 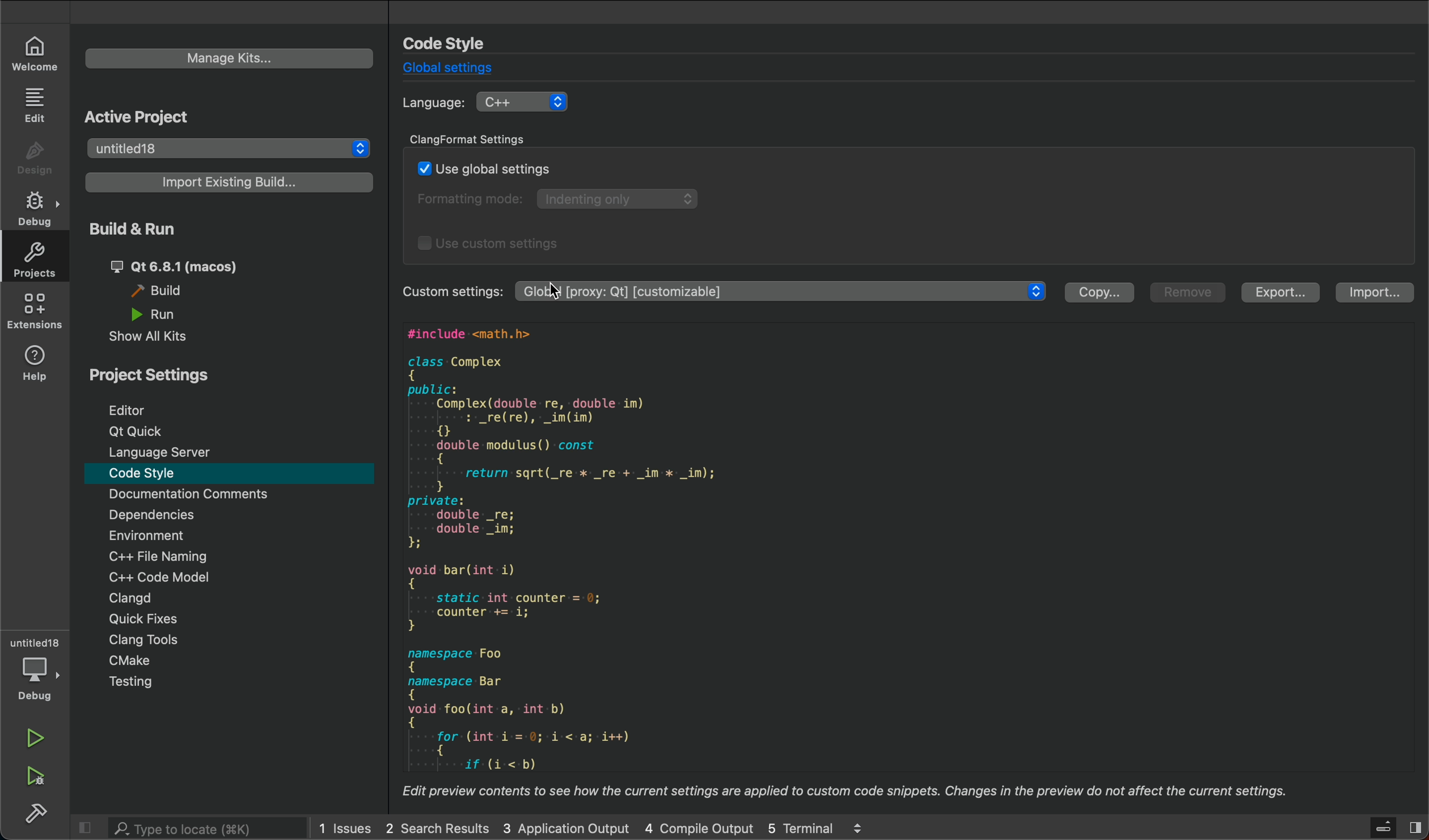 I want to click on 1 Issues, so click(x=344, y=826).